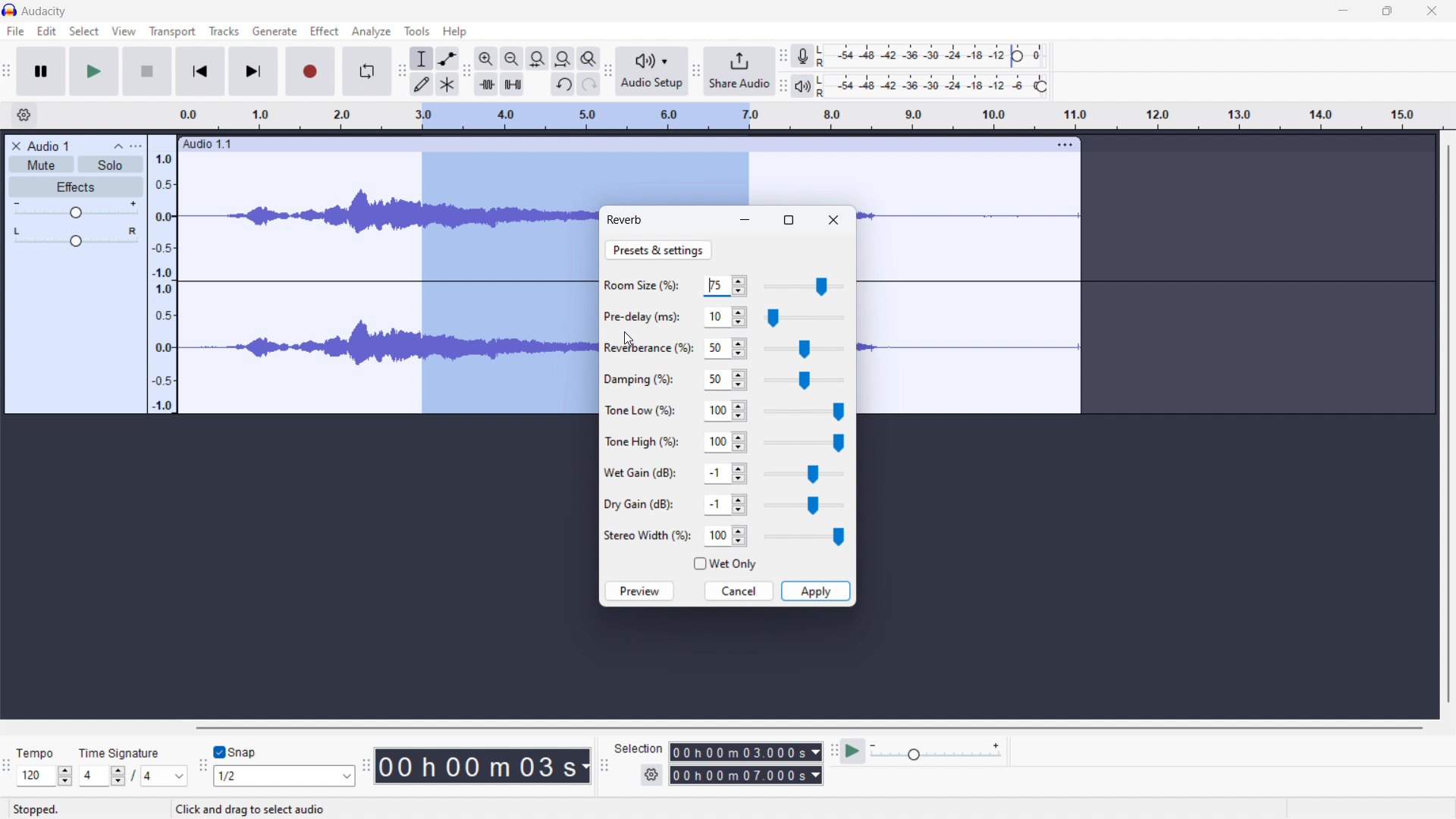 The image size is (1456, 819). Describe the element at coordinates (1345, 11) in the screenshot. I see `minimize` at that location.